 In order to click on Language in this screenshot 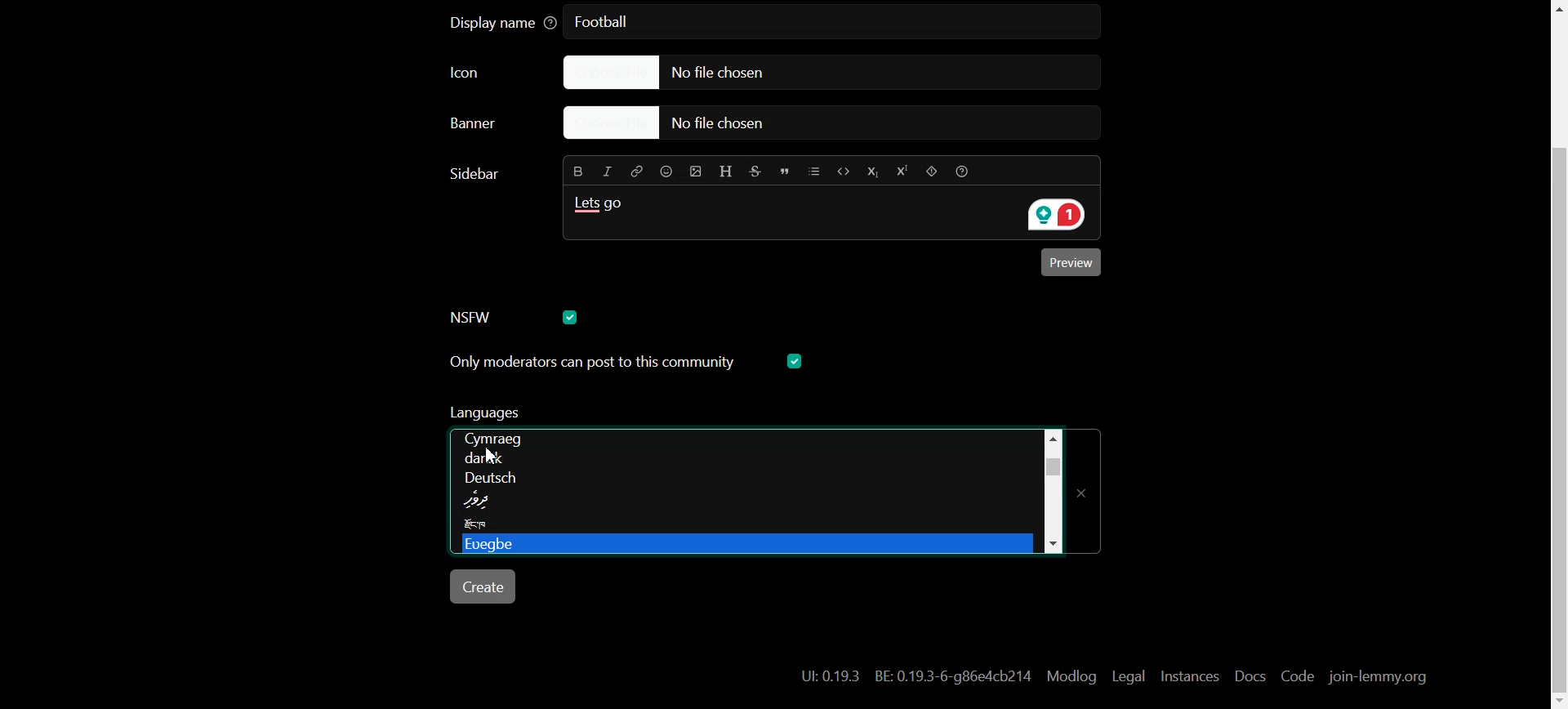, I will do `click(743, 526)`.